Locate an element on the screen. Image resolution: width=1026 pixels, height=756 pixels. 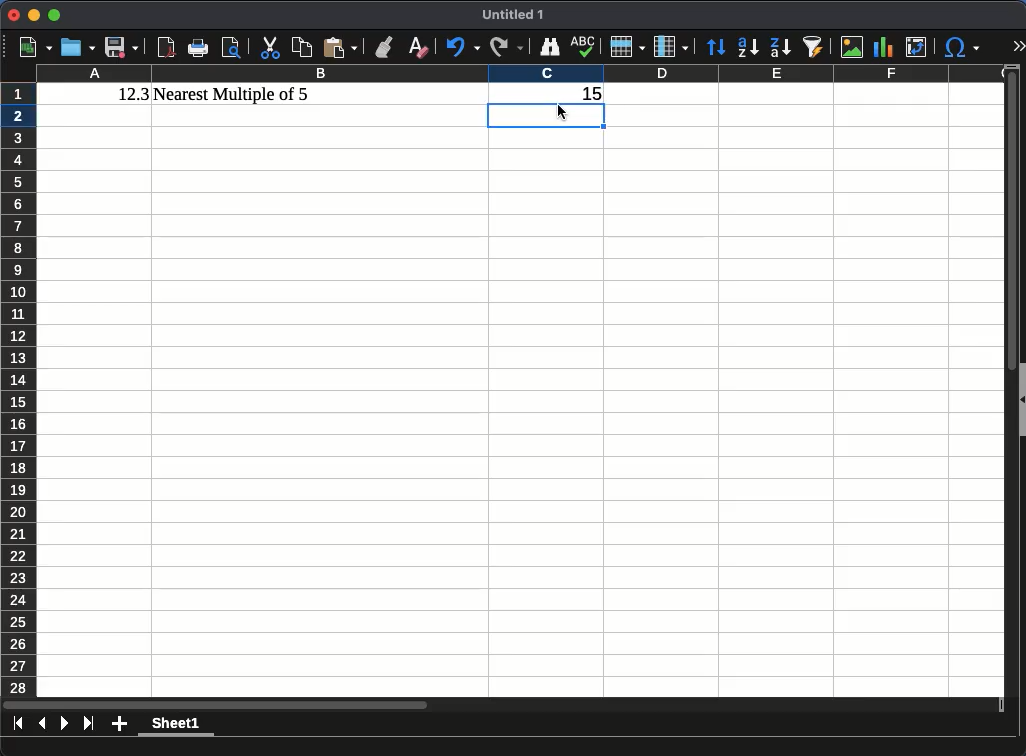
15 is located at coordinates (587, 94).